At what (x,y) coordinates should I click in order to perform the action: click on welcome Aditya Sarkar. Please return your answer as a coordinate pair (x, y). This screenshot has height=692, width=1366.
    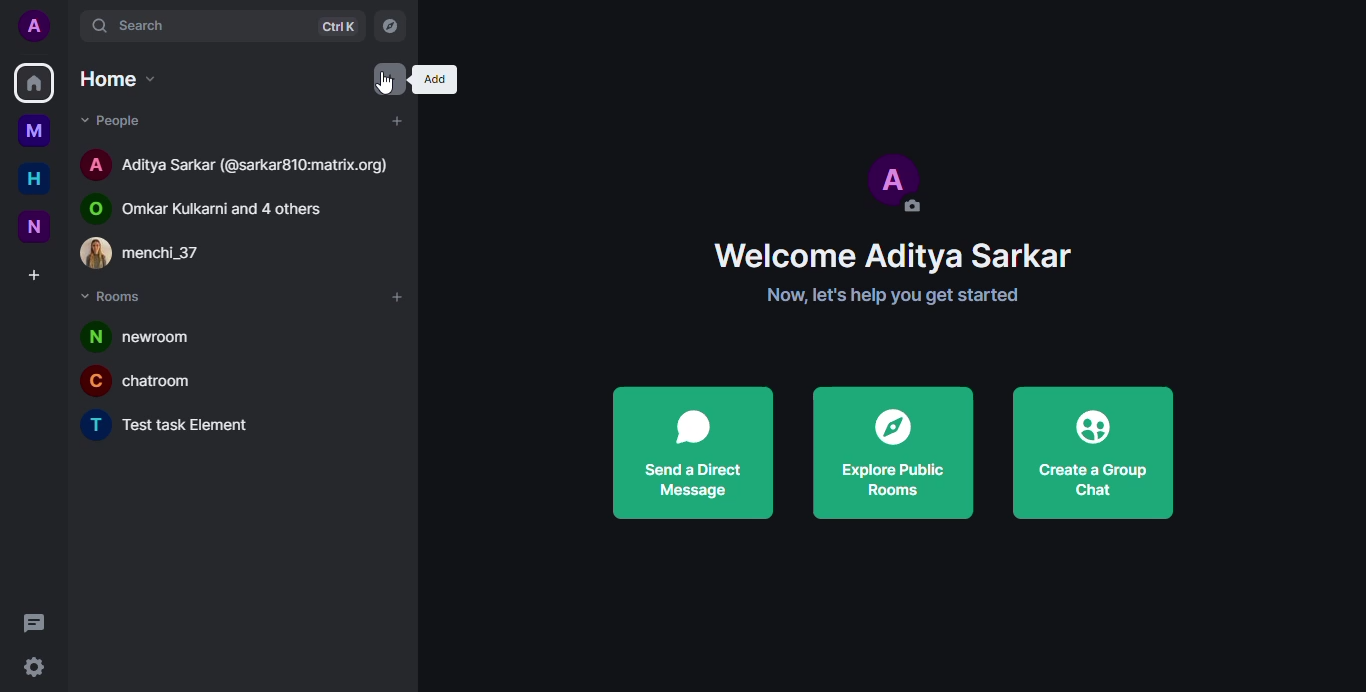
    Looking at the image, I should click on (893, 254).